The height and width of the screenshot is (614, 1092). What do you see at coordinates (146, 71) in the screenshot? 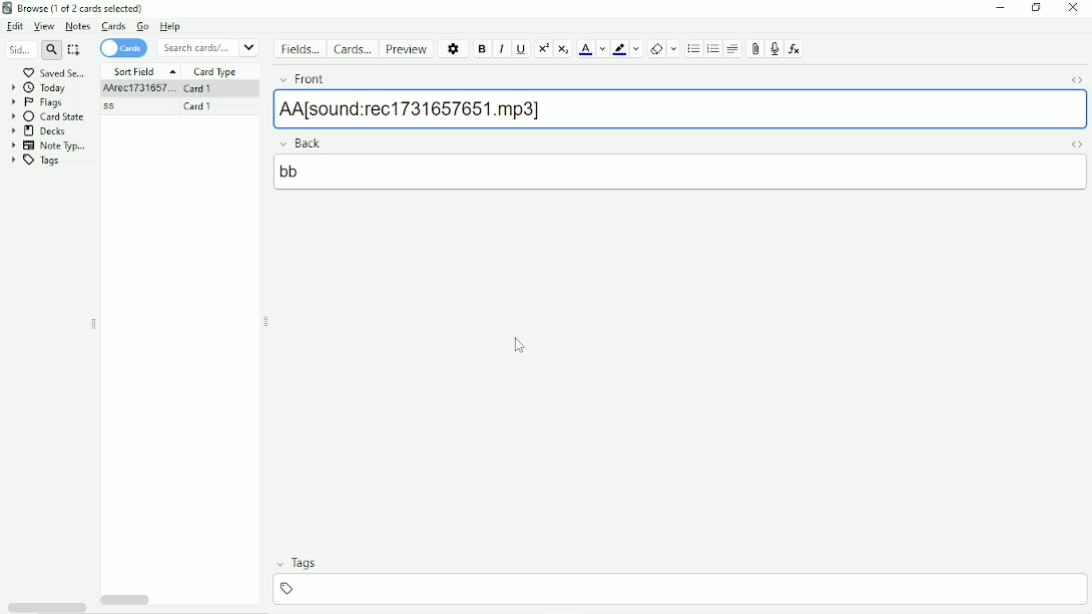
I see `Sort Field` at bounding box center [146, 71].